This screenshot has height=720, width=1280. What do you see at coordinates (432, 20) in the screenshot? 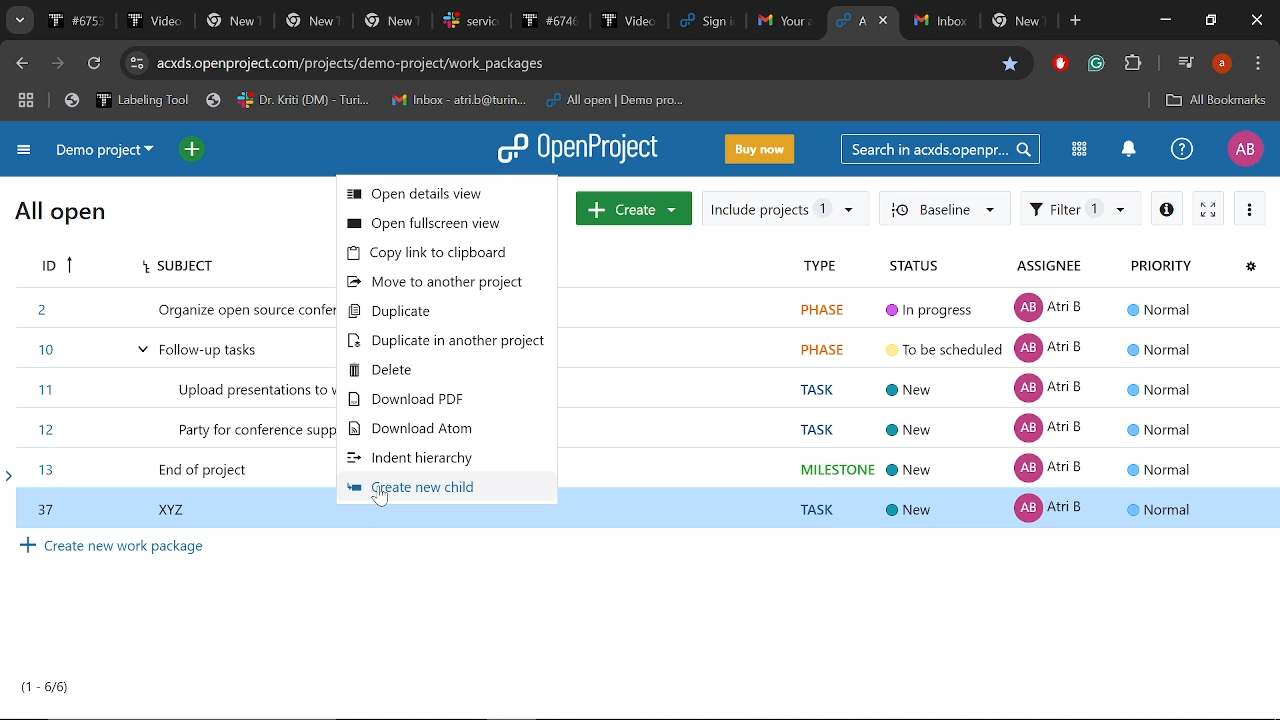
I see `Tabs` at bounding box center [432, 20].